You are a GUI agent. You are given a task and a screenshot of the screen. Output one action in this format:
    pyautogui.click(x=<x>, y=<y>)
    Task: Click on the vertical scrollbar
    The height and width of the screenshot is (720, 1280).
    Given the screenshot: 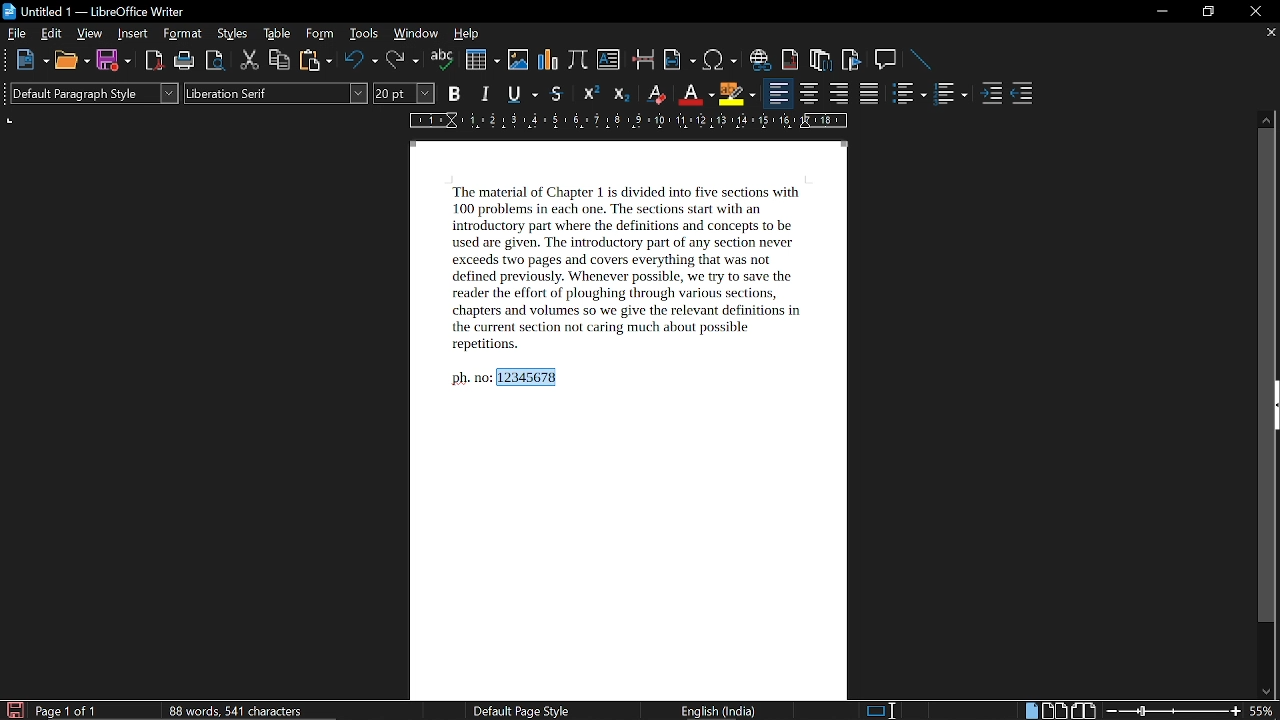 What is the action you would take?
    pyautogui.click(x=1266, y=376)
    